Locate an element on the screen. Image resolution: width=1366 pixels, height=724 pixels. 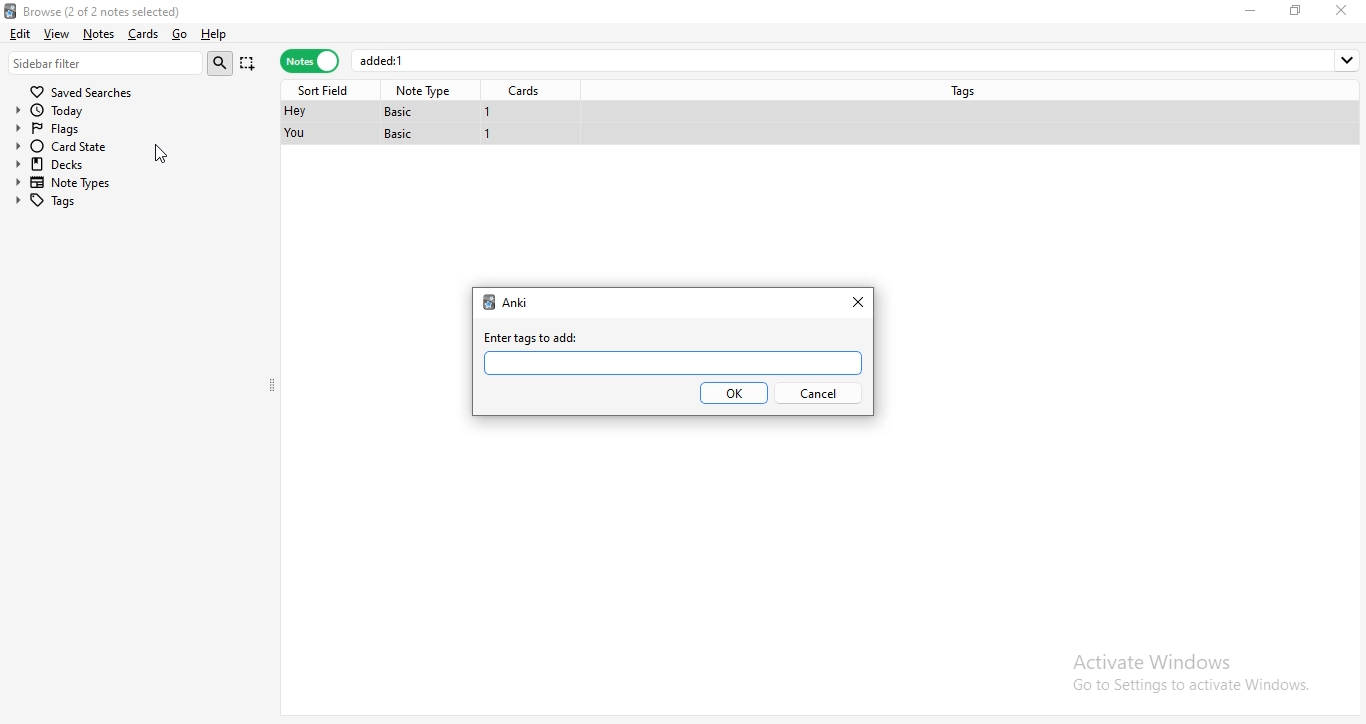
view is located at coordinates (58, 33).